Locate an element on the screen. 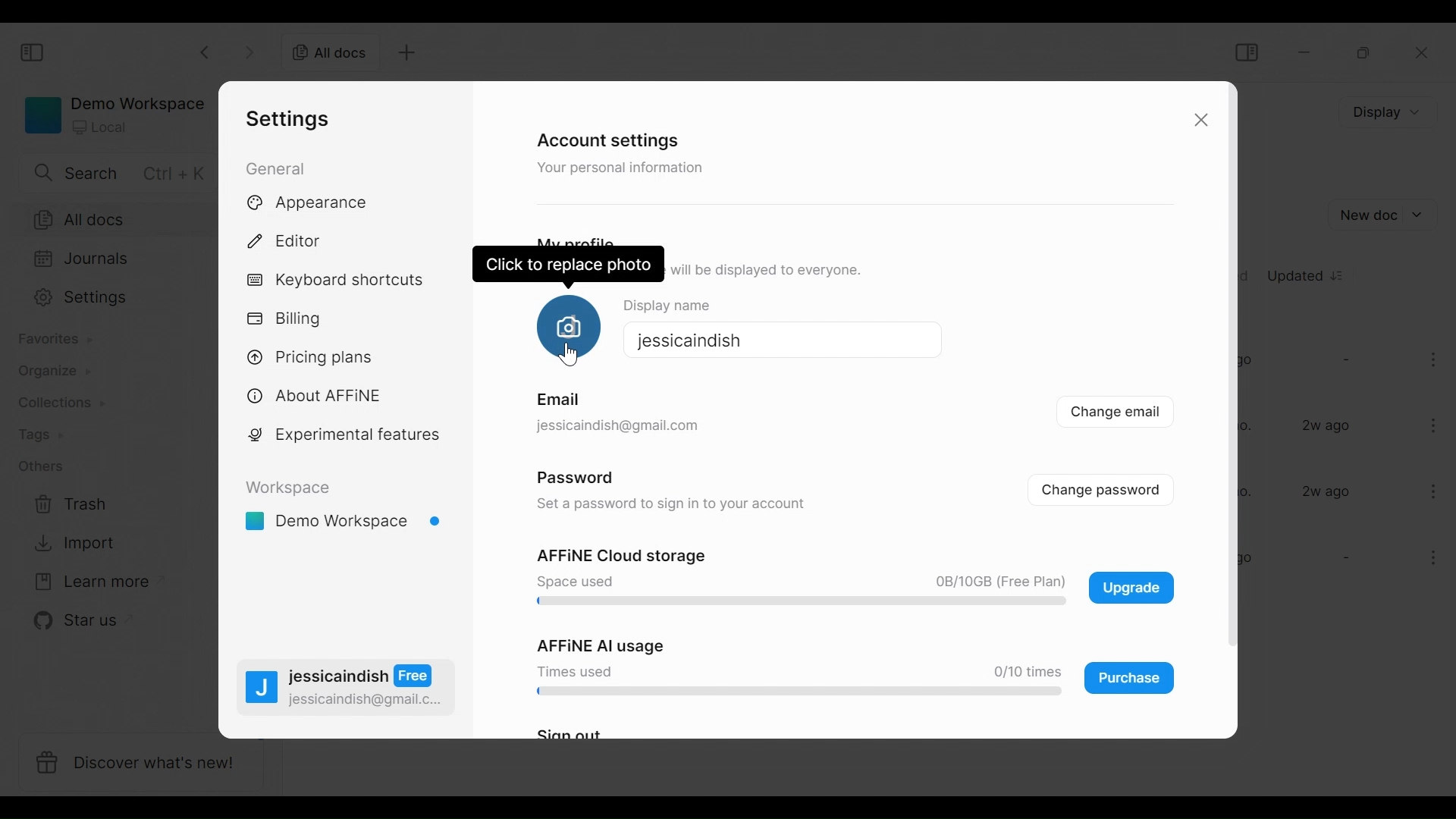  Favorites is located at coordinates (58, 340).